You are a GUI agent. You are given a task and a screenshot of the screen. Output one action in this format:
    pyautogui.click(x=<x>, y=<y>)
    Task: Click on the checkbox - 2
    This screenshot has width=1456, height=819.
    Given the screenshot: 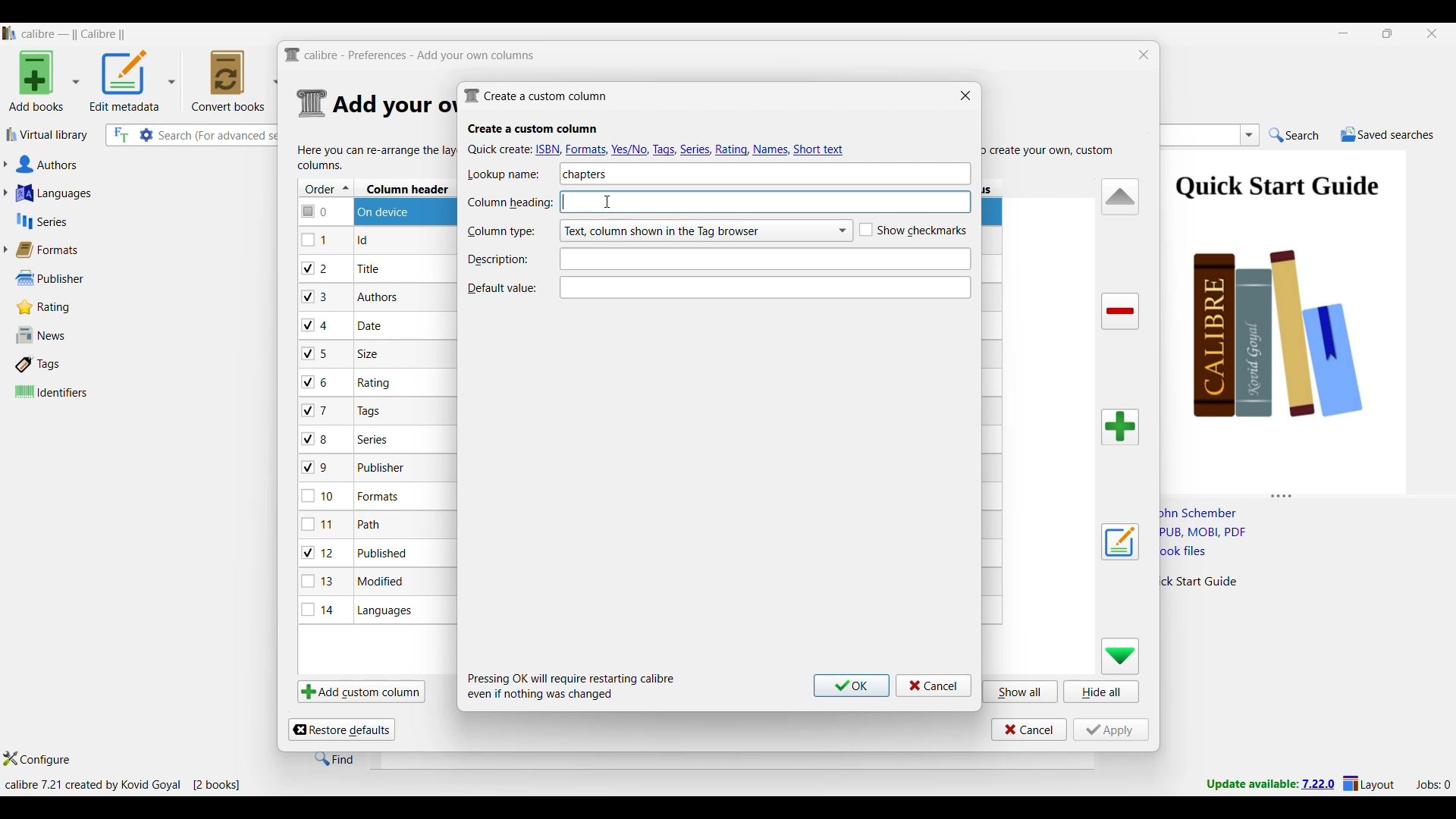 What is the action you would take?
    pyautogui.click(x=315, y=268)
    